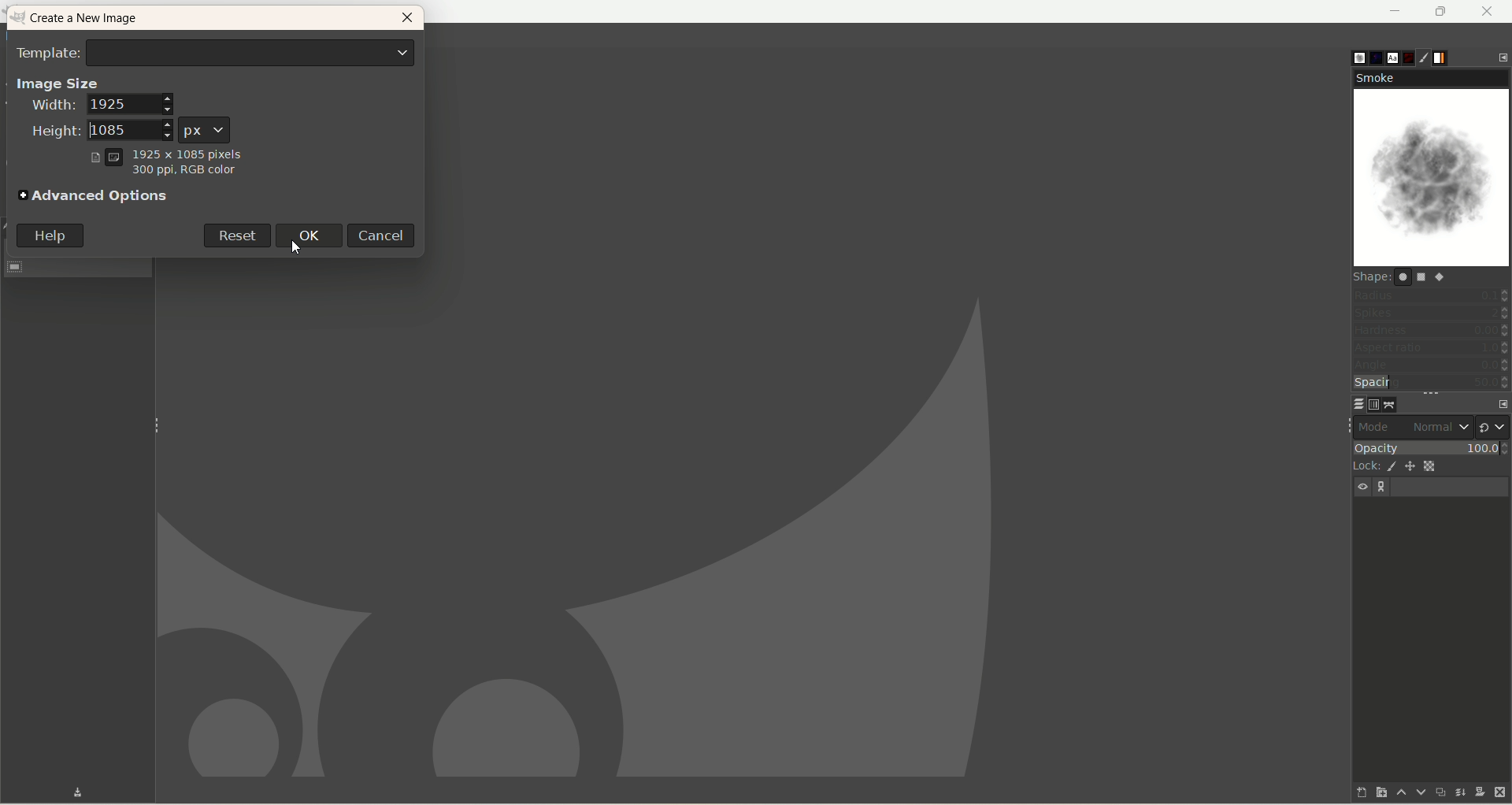 Image resolution: width=1512 pixels, height=805 pixels. What do you see at coordinates (1369, 57) in the screenshot?
I see `pattern` at bounding box center [1369, 57].